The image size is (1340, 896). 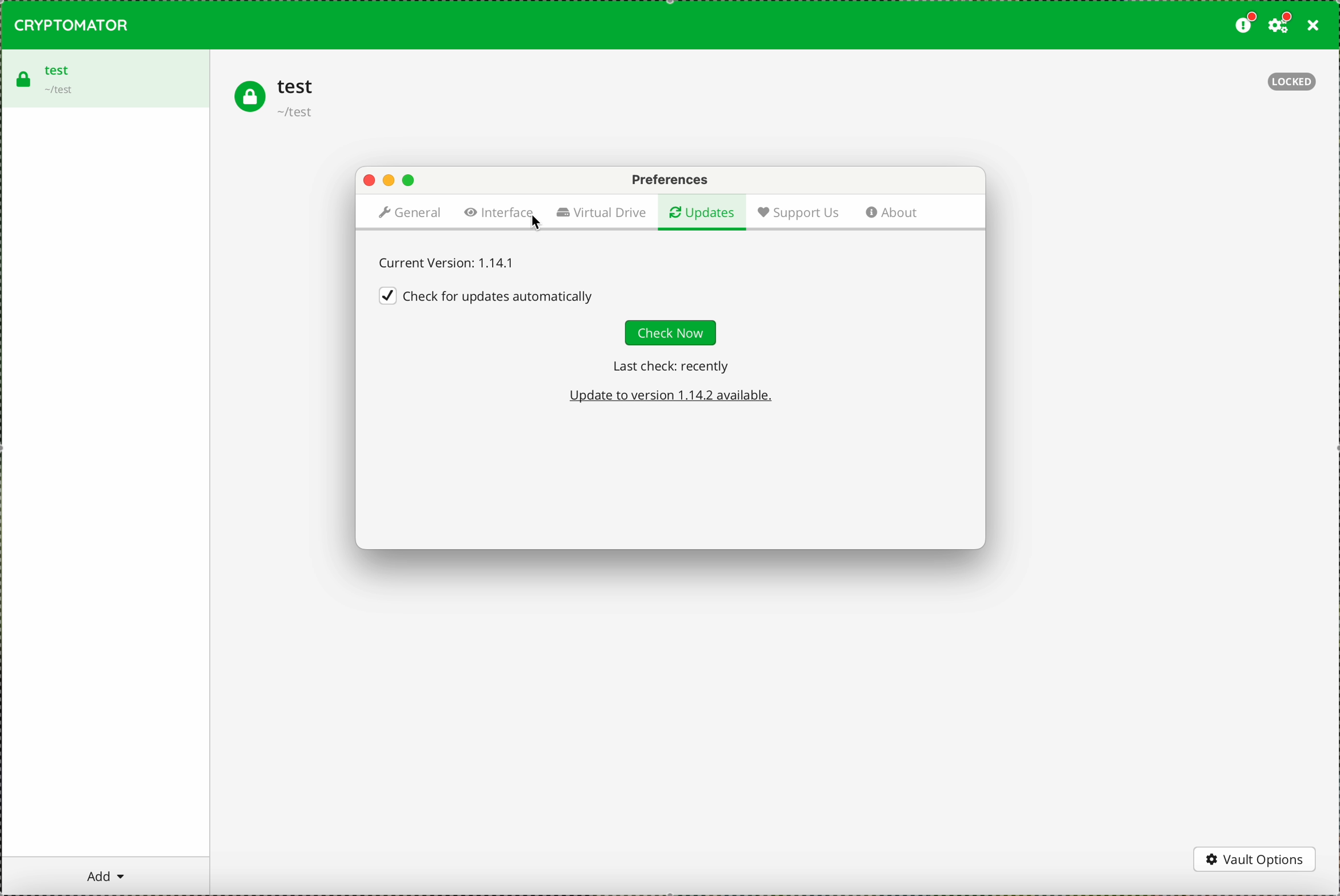 What do you see at coordinates (894, 213) in the screenshot?
I see `about` at bounding box center [894, 213].